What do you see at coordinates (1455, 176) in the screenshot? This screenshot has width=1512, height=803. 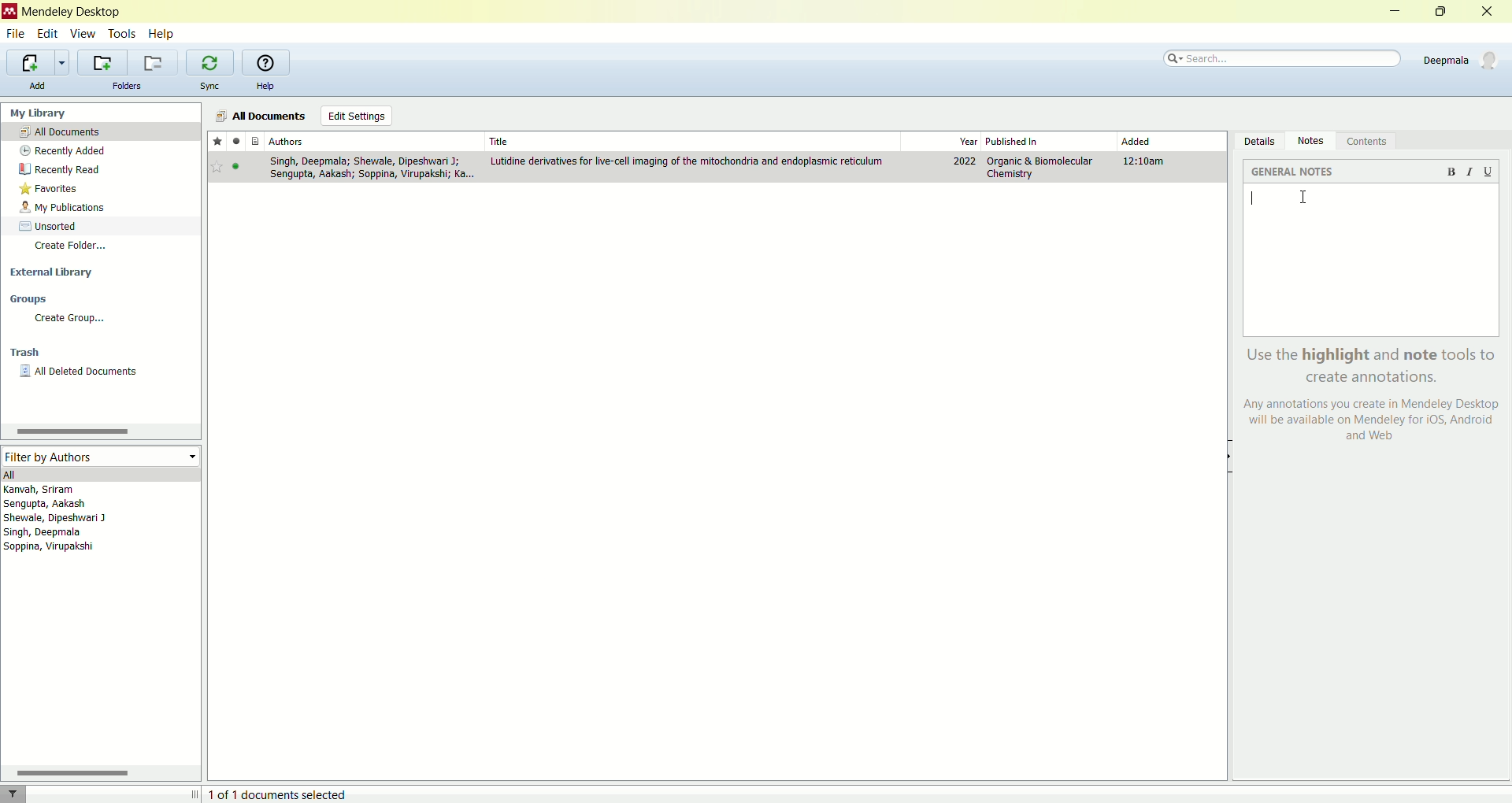 I see `bold` at bounding box center [1455, 176].